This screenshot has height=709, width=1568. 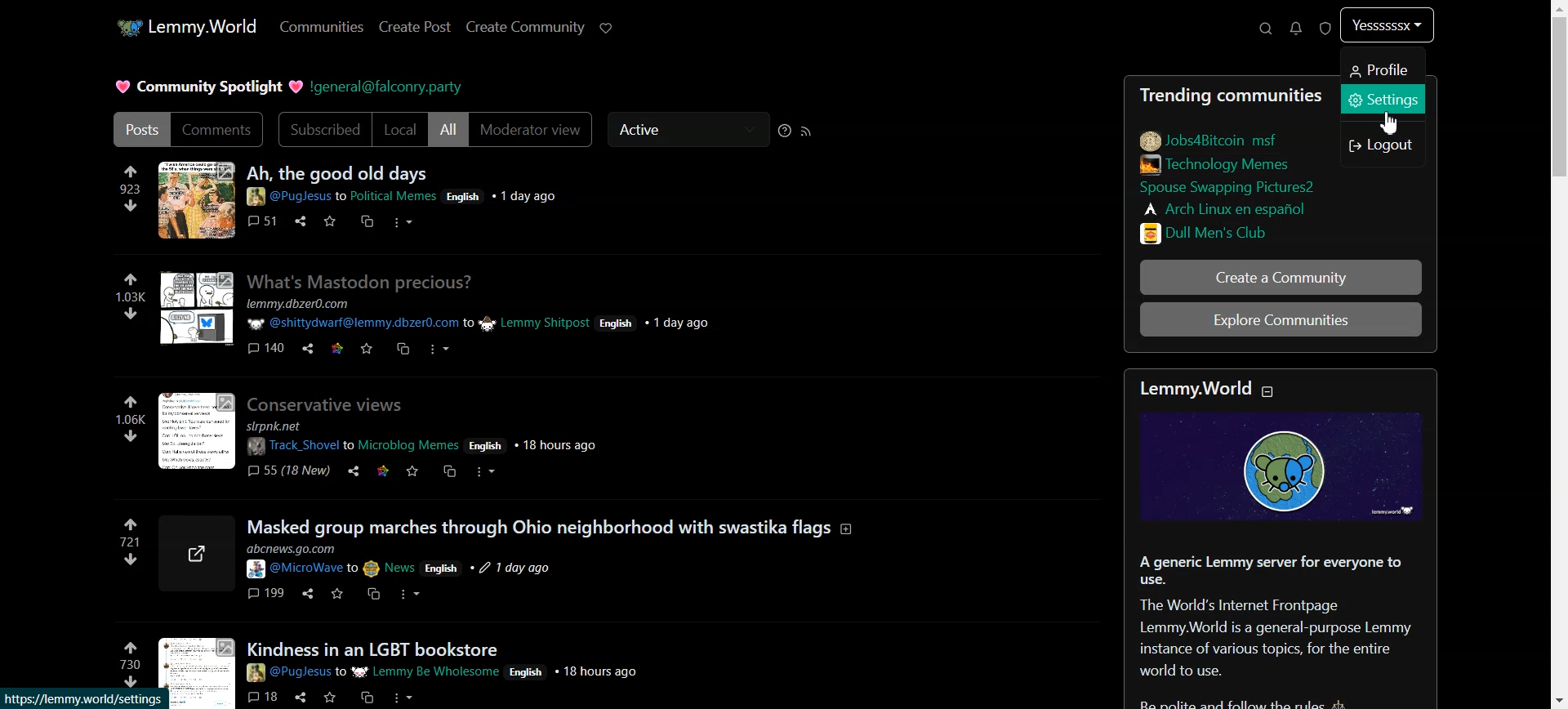 What do you see at coordinates (608, 28) in the screenshot?
I see `Support Lemmy` at bounding box center [608, 28].